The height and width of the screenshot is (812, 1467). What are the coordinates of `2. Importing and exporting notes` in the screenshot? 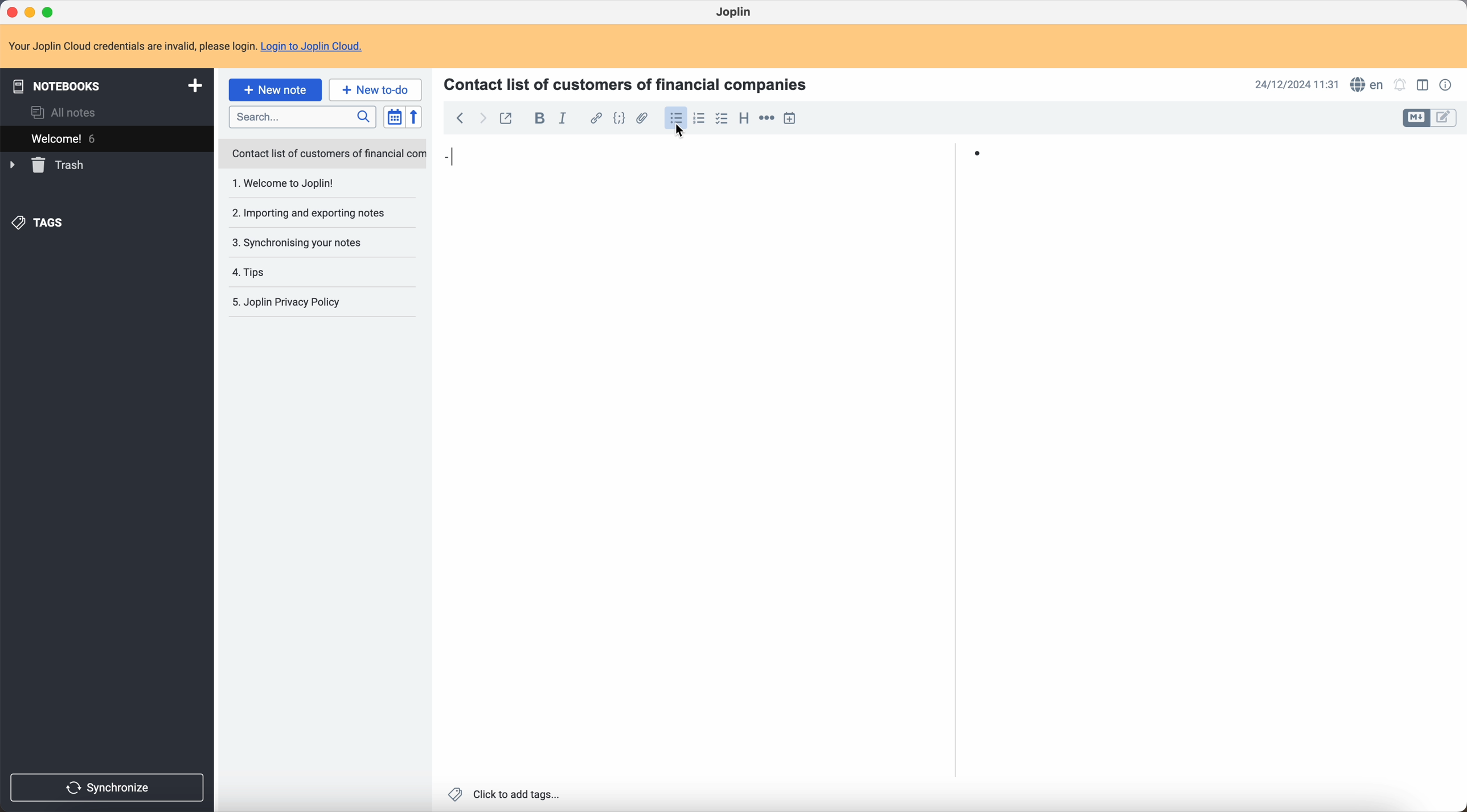 It's located at (312, 214).